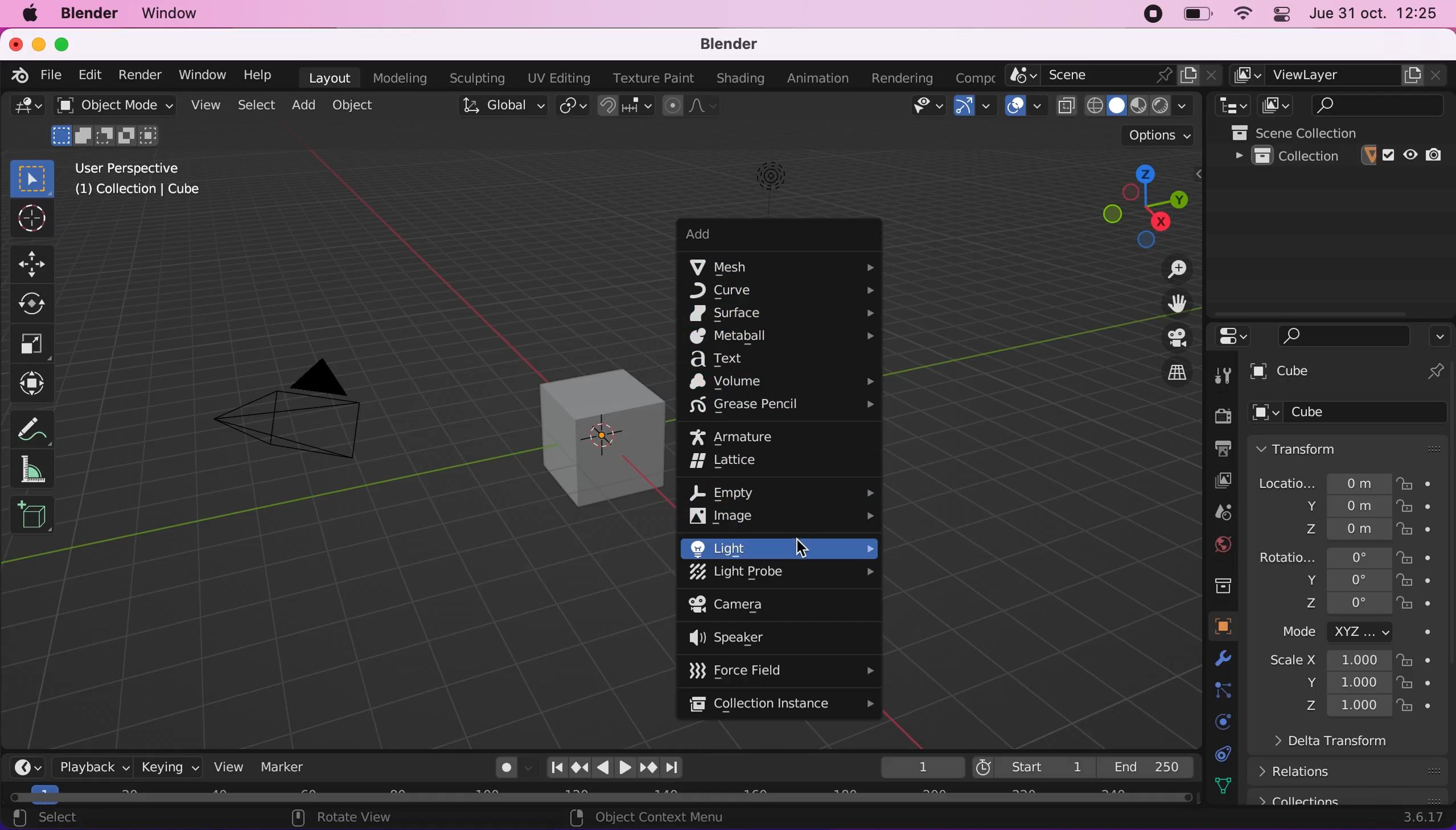  What do you see at coordinates (780, 381) in the screenshot?
I see `volume` at bounding box center [780, 381].